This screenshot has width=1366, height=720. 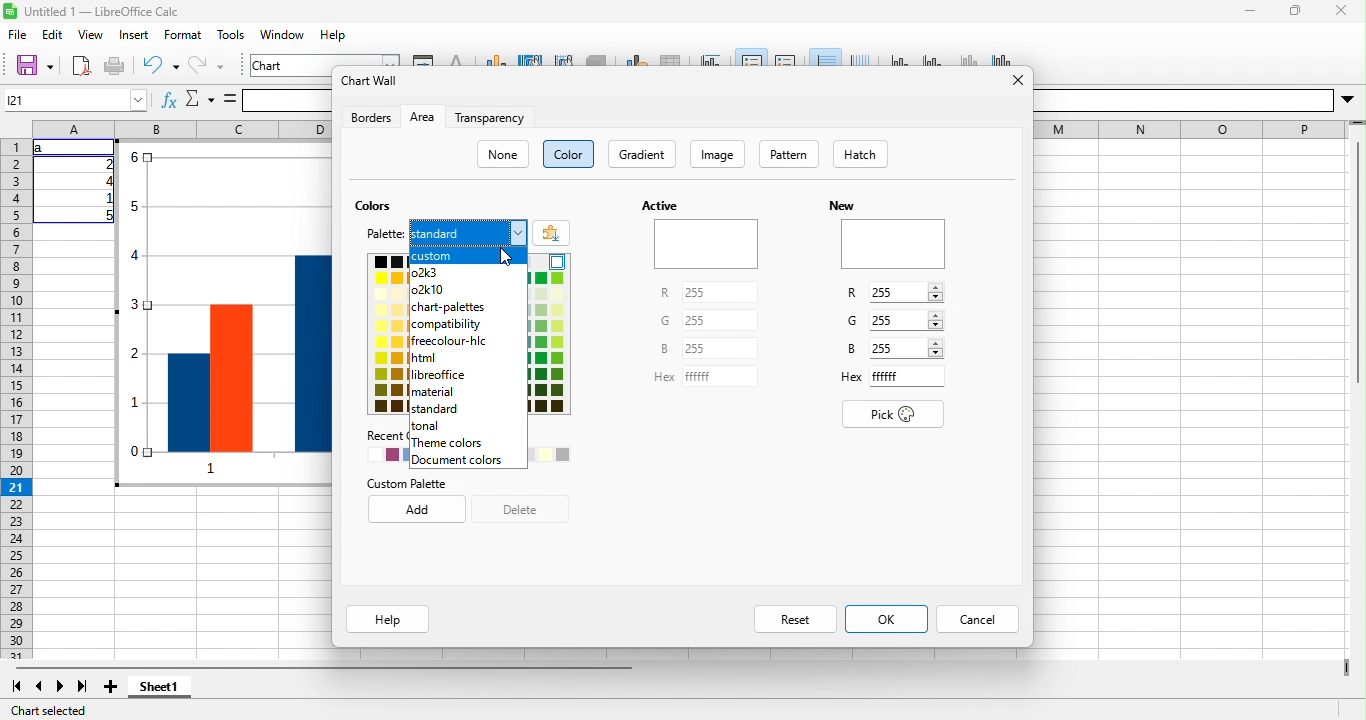 I want to click on y axis, so click(x=934, y=58).